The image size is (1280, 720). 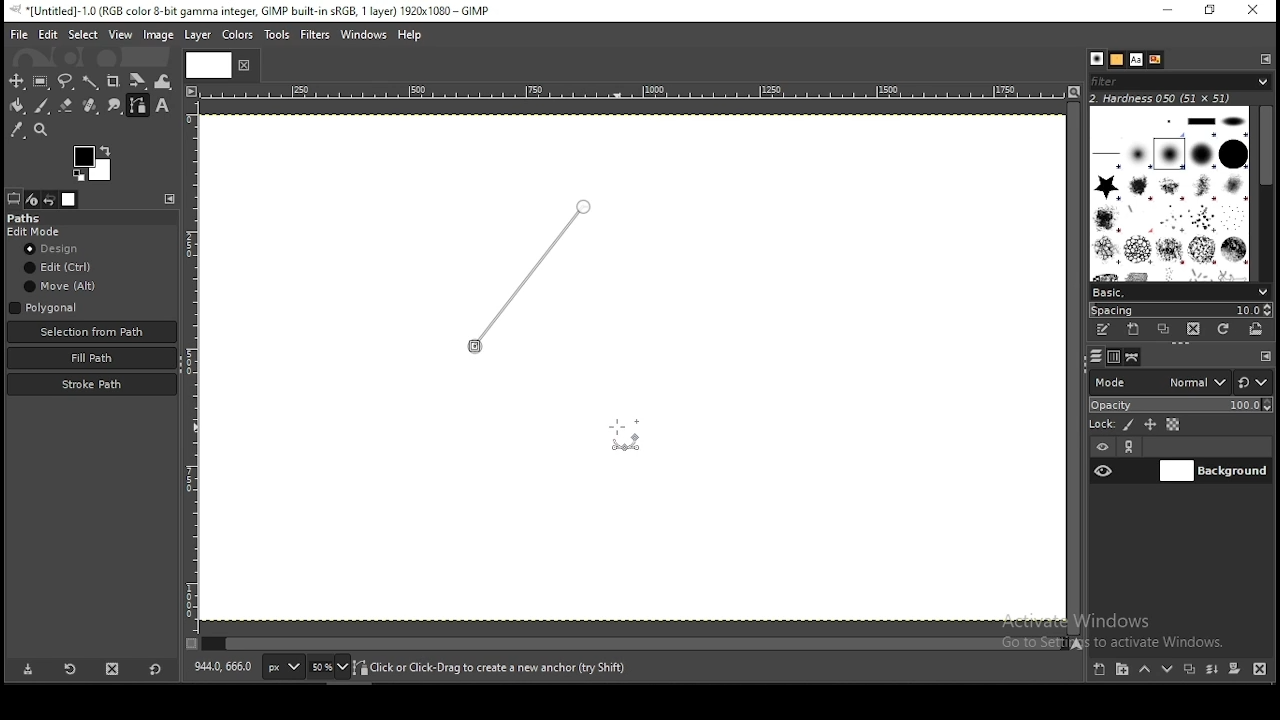 What do you see at coordinates (70, 199) in the screenshot?
I see `images` at bounding box center [70, 199].